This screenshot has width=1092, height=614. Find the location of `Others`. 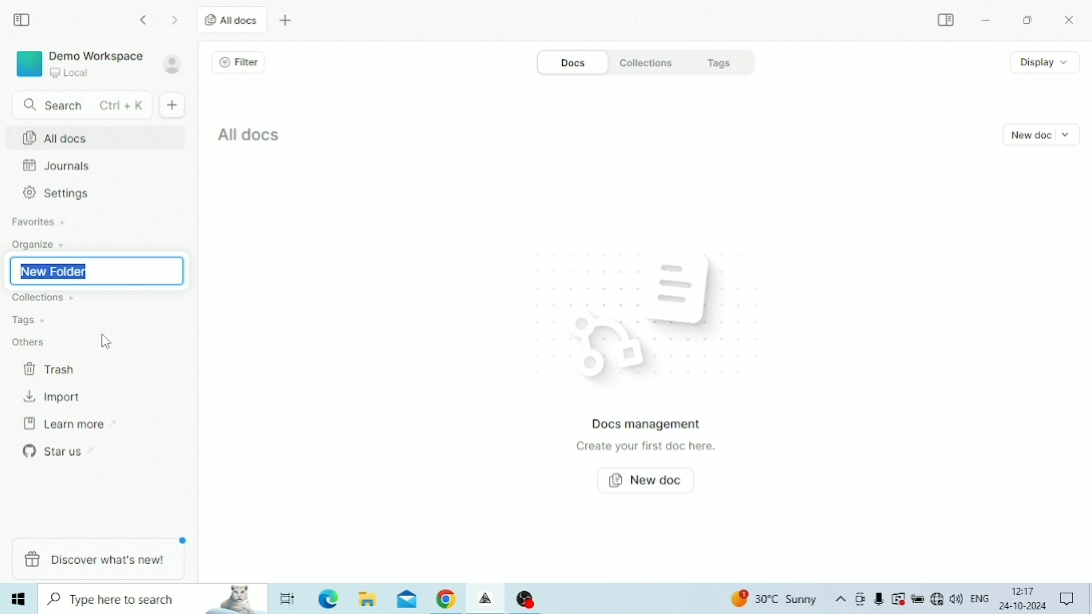

Others is located at coordinates (27, 343).